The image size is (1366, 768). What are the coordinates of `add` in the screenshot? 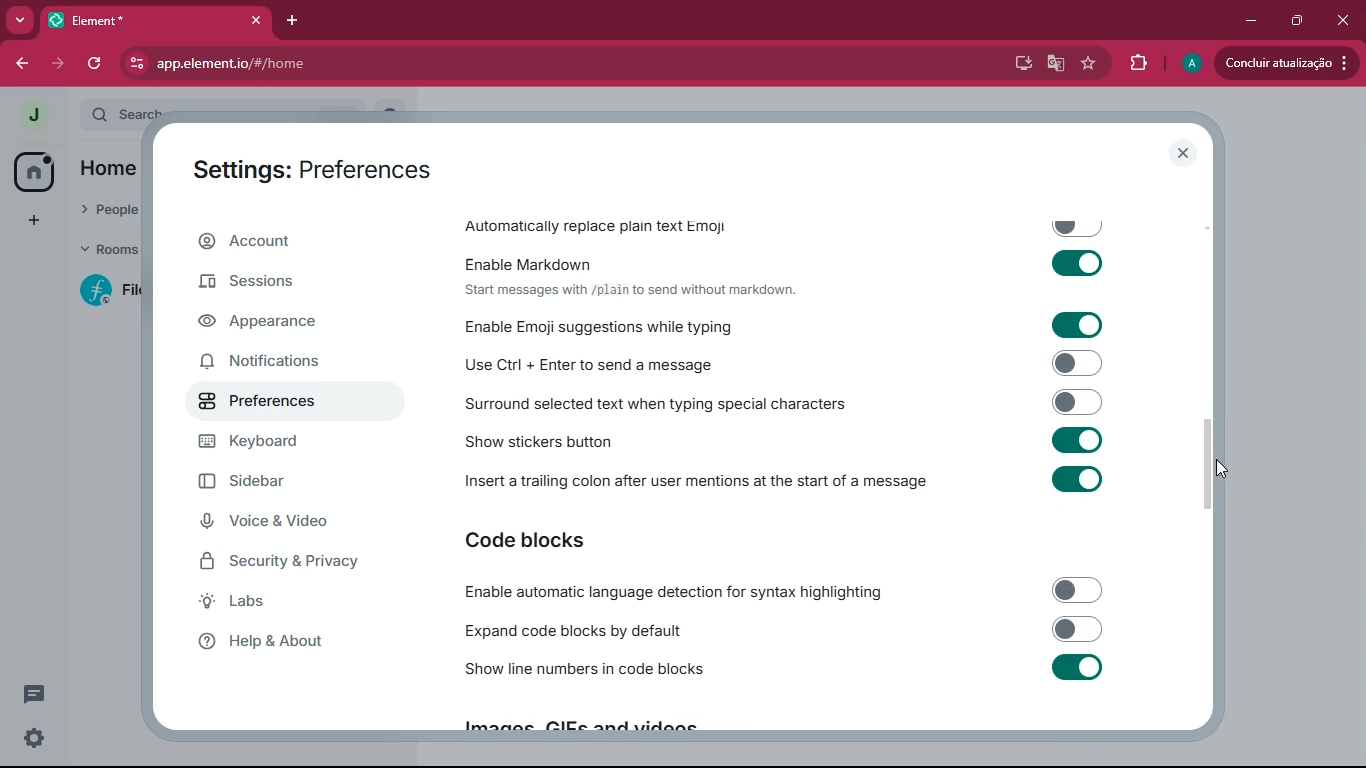 It's located at (33, 220).